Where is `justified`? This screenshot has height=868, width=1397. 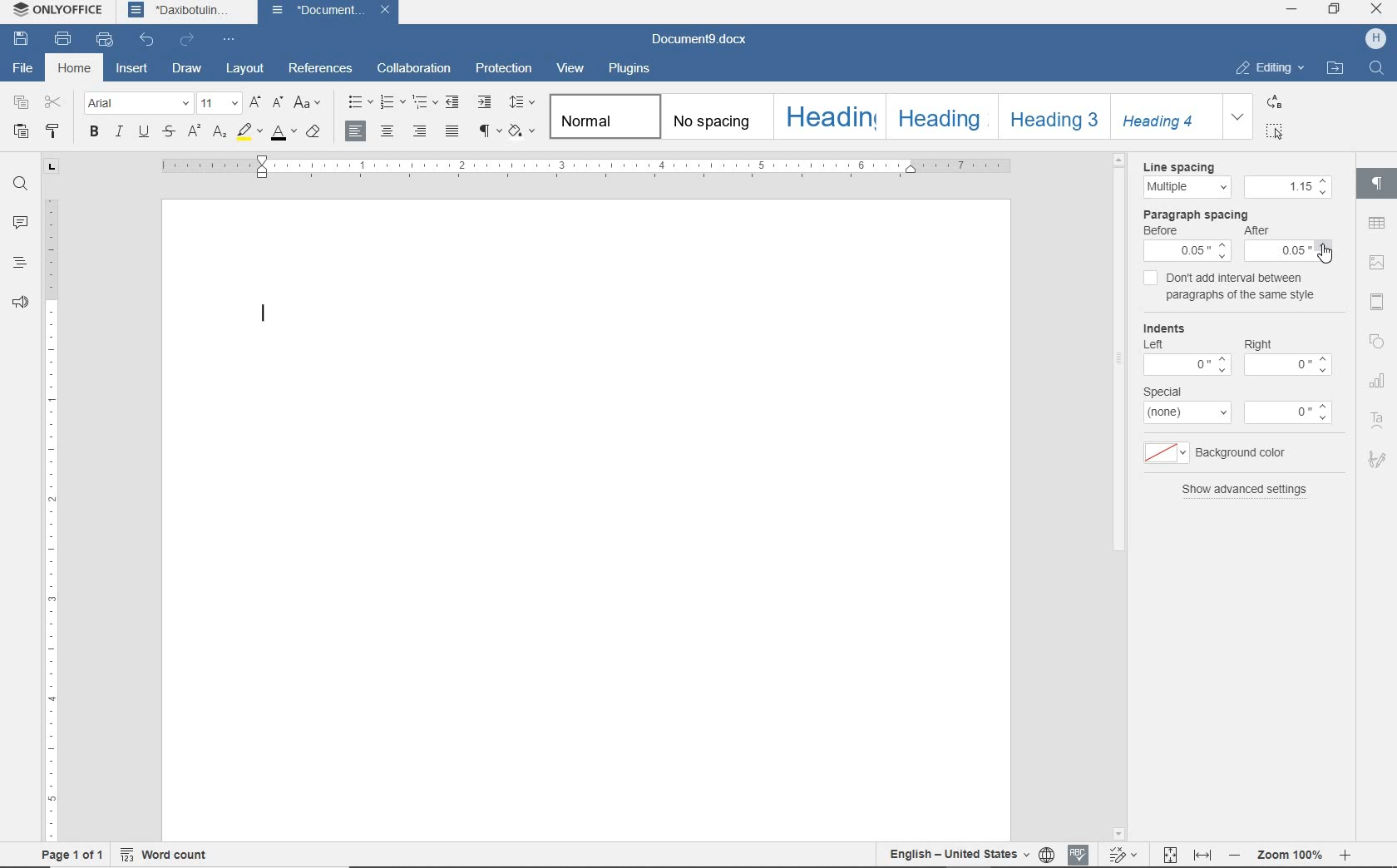
justified is located at coordinates (454, 132).